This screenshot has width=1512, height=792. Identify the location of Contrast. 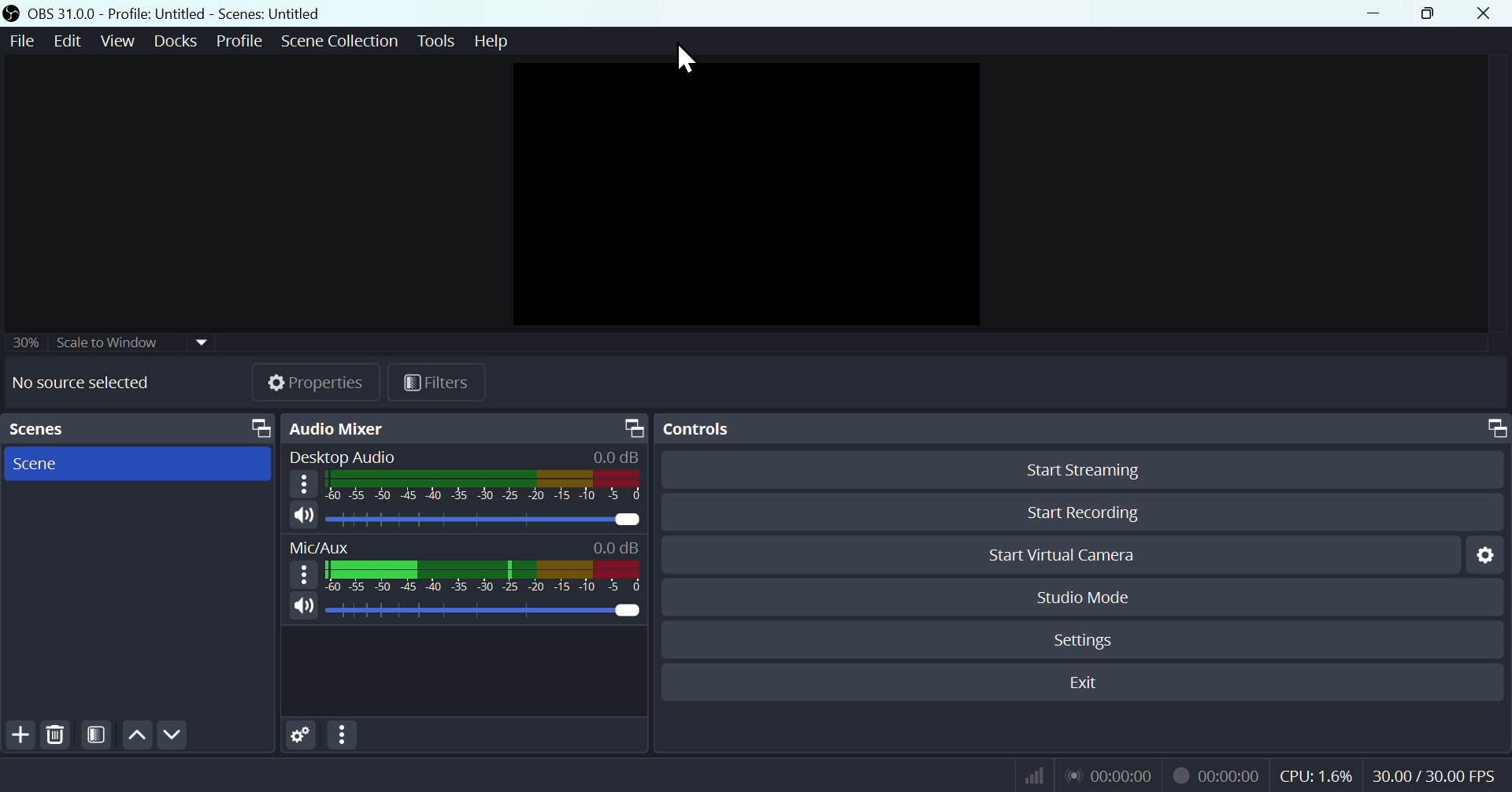
(97, 735).